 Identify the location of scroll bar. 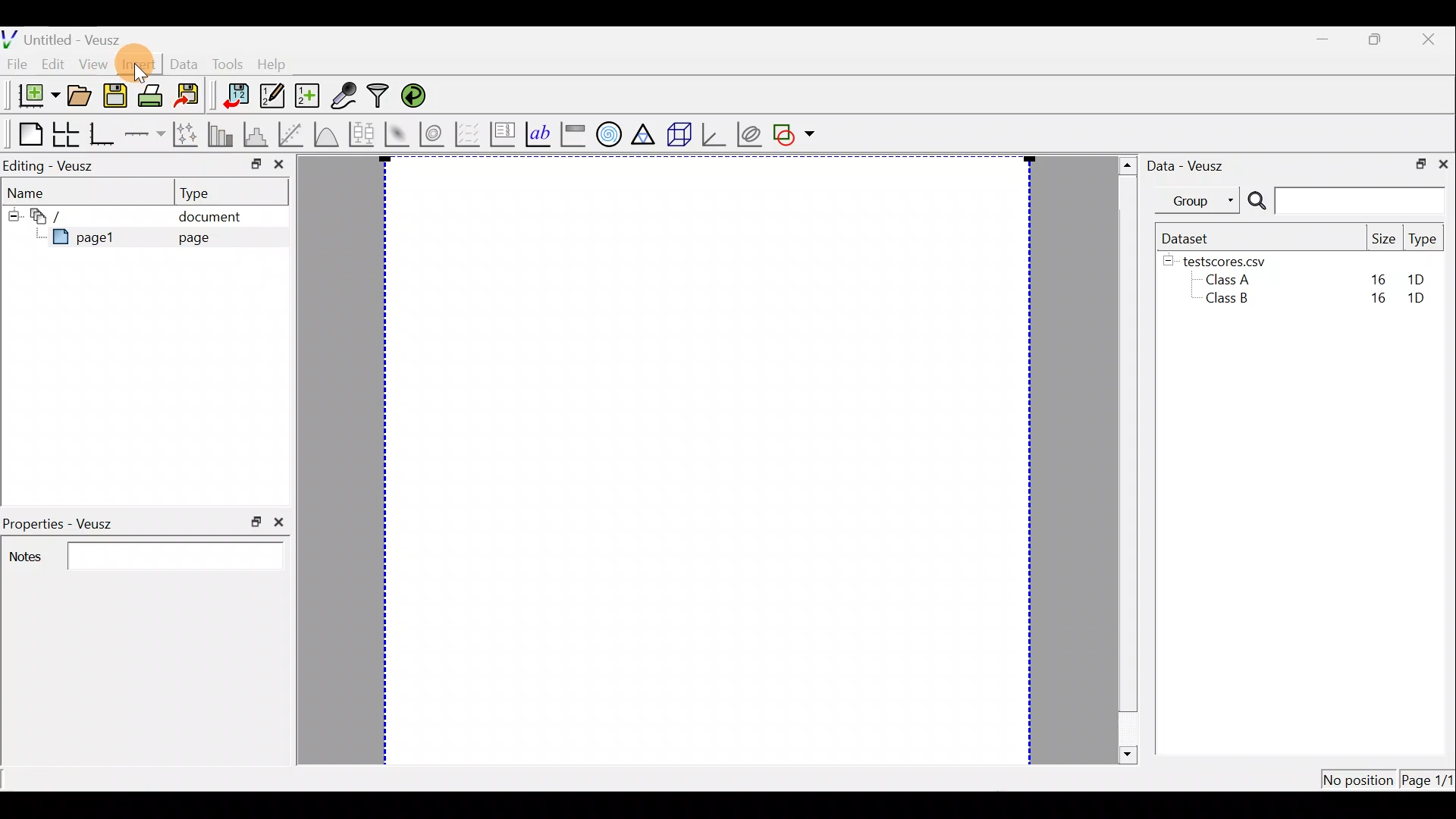
(1125, 460).